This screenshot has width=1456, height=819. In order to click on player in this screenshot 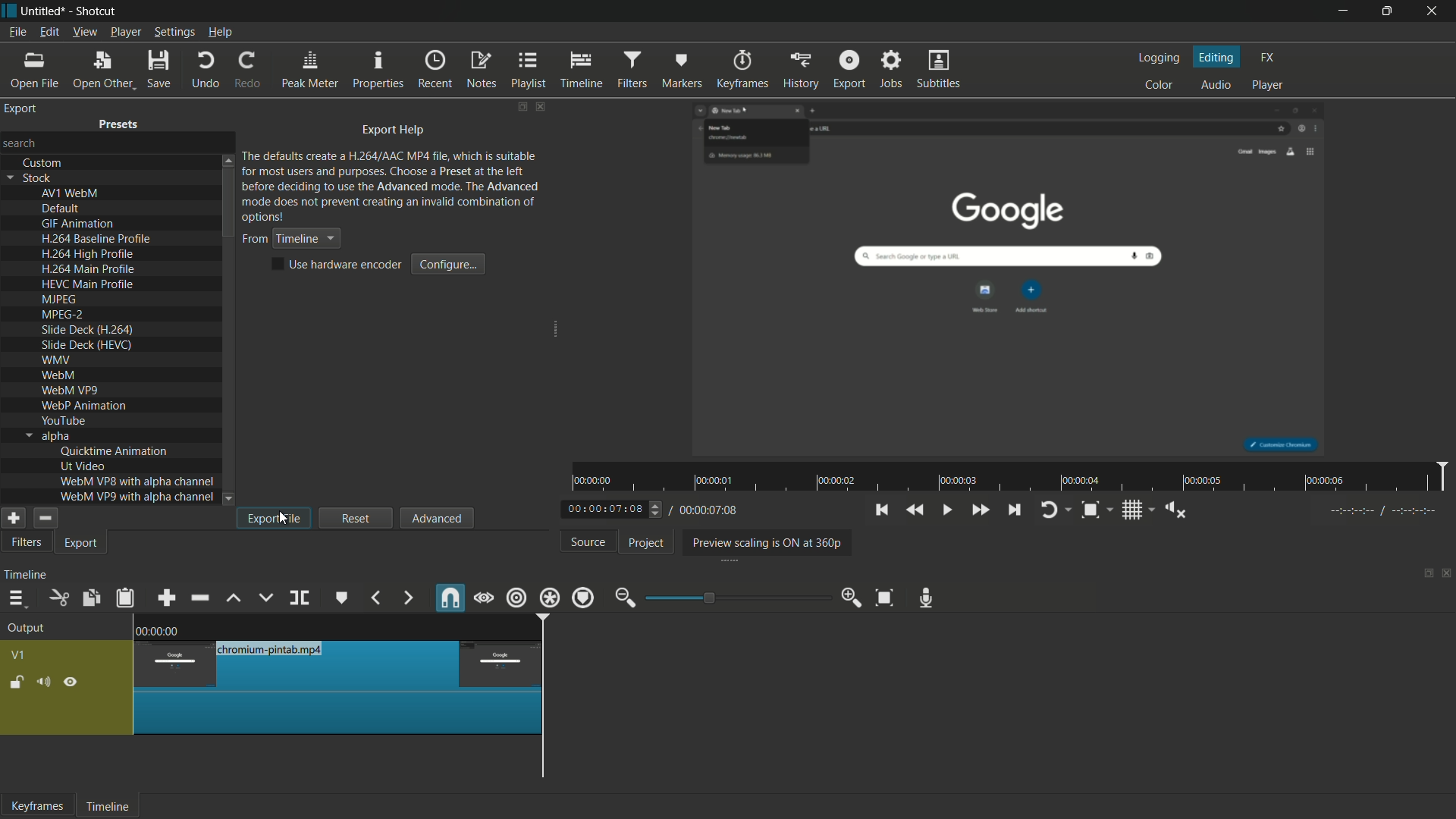, I will do `click(1268, 83)`.